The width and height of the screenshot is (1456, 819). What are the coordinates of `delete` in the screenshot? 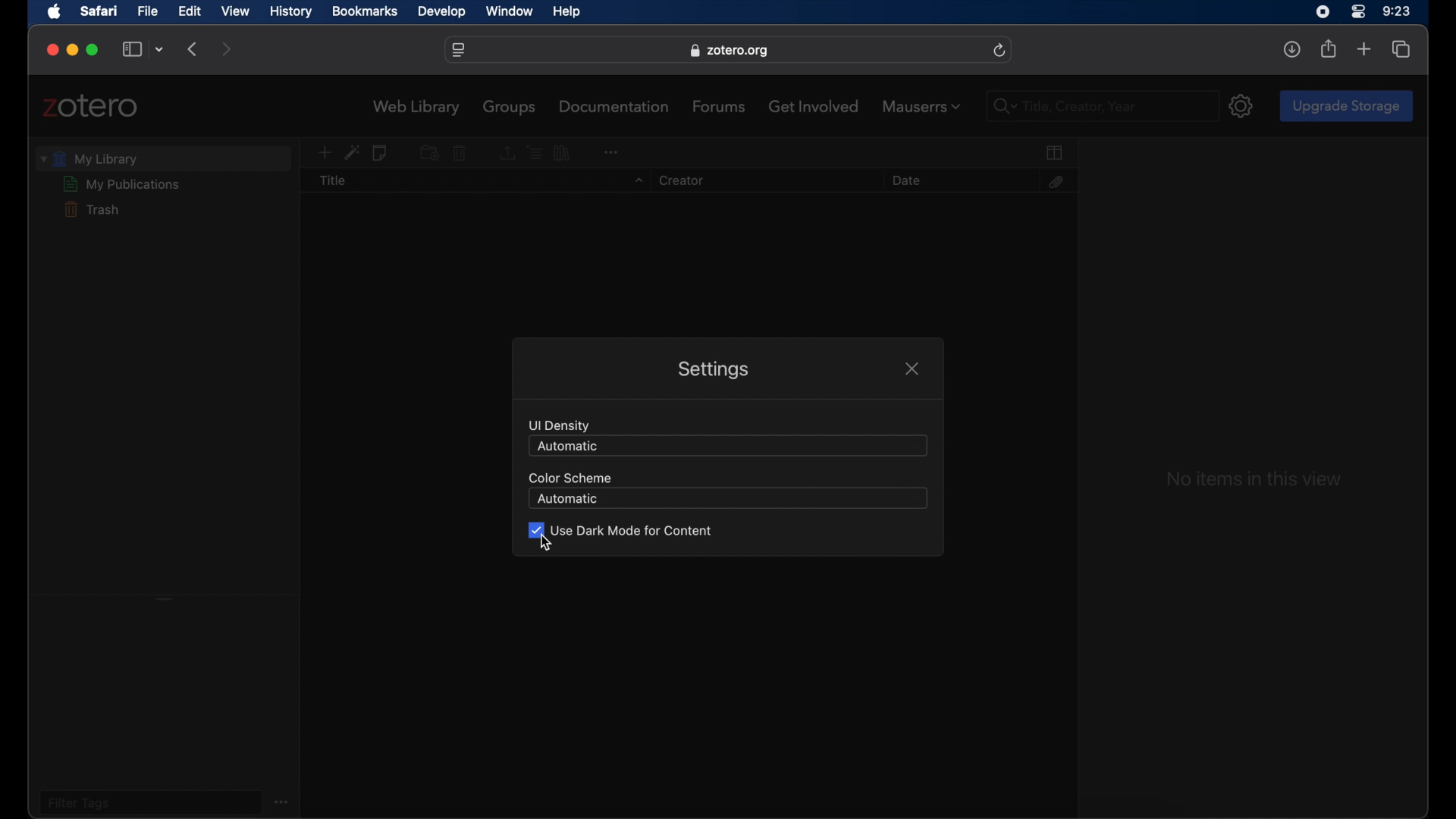 It's located at (460, 153).